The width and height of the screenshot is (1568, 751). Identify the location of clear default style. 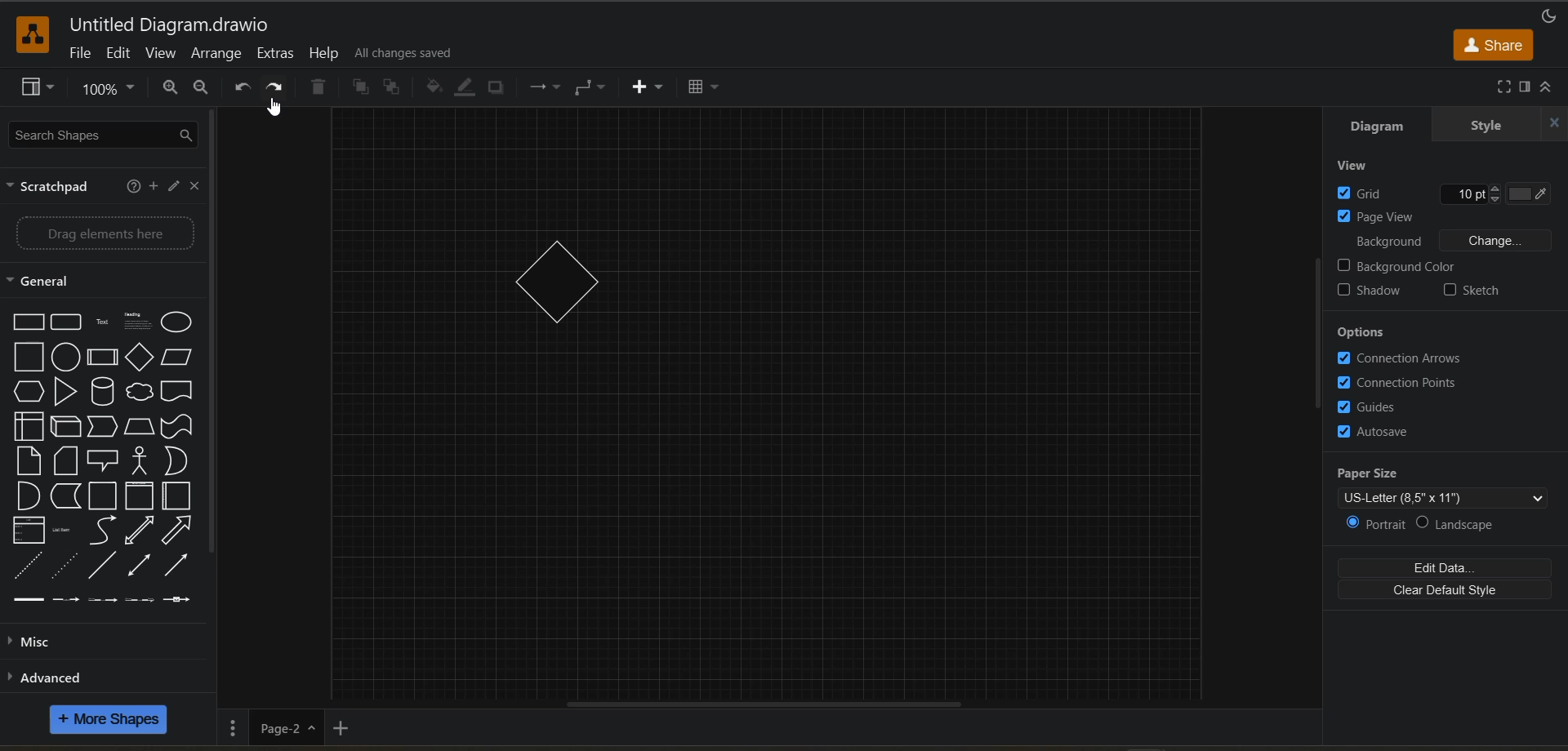
(1445, 589).